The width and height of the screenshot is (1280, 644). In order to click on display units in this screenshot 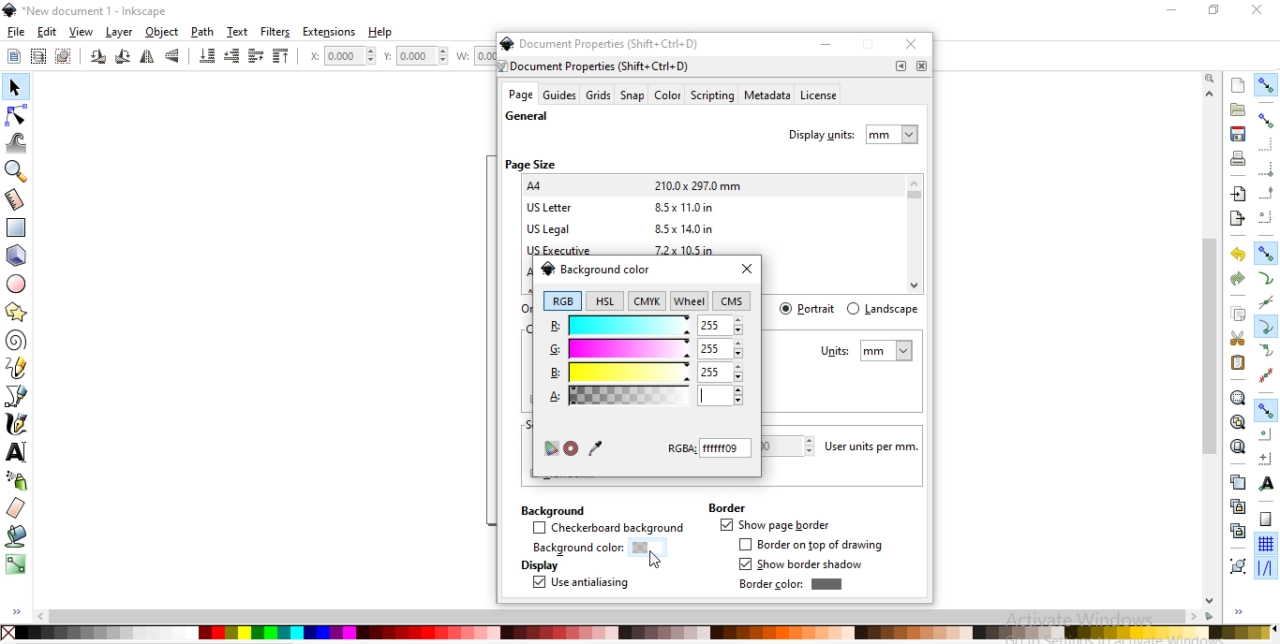, I will do `click(855, 132)`.